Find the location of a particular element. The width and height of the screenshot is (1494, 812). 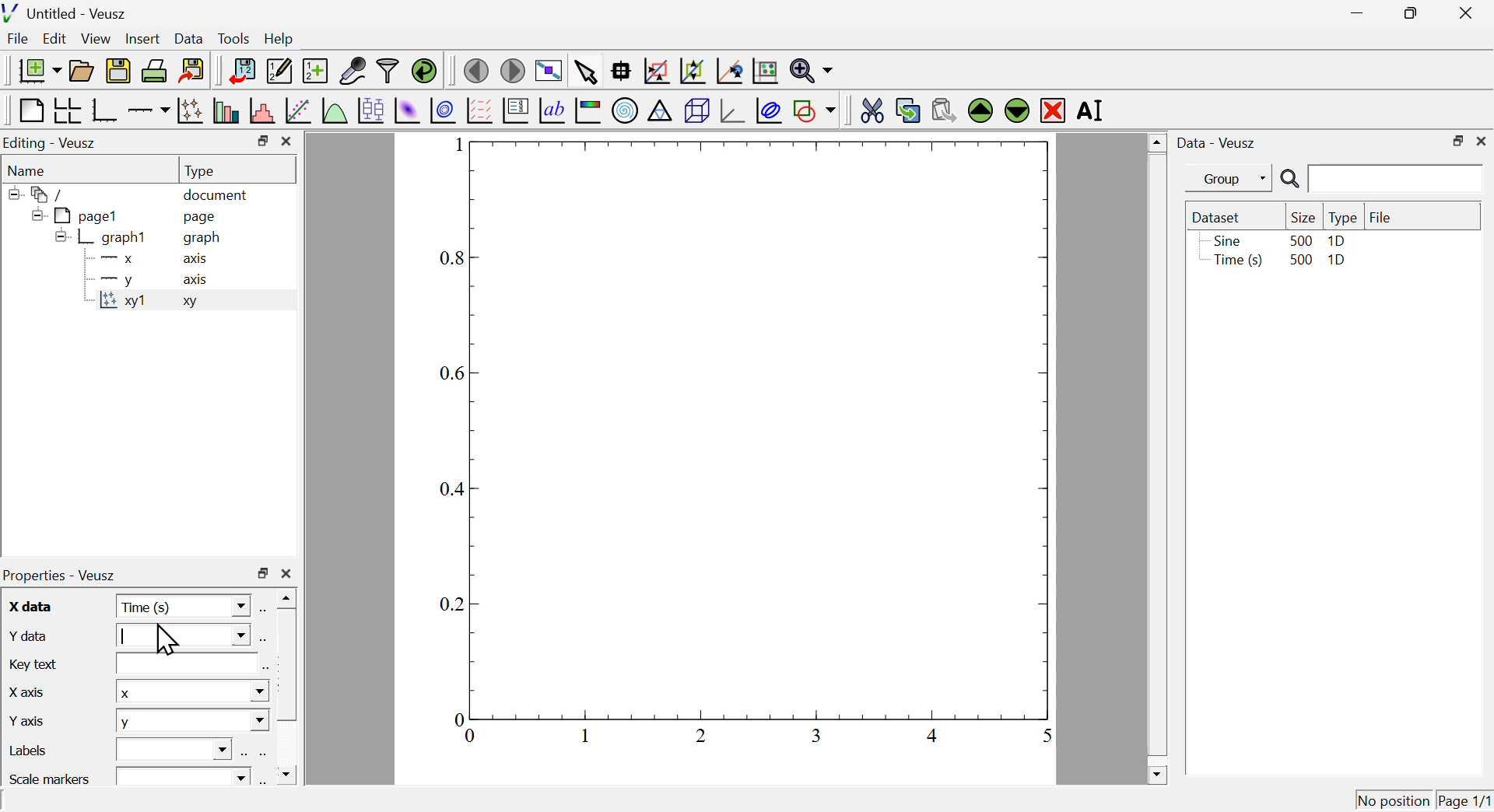

sine is located at coordinates (1226, 240).